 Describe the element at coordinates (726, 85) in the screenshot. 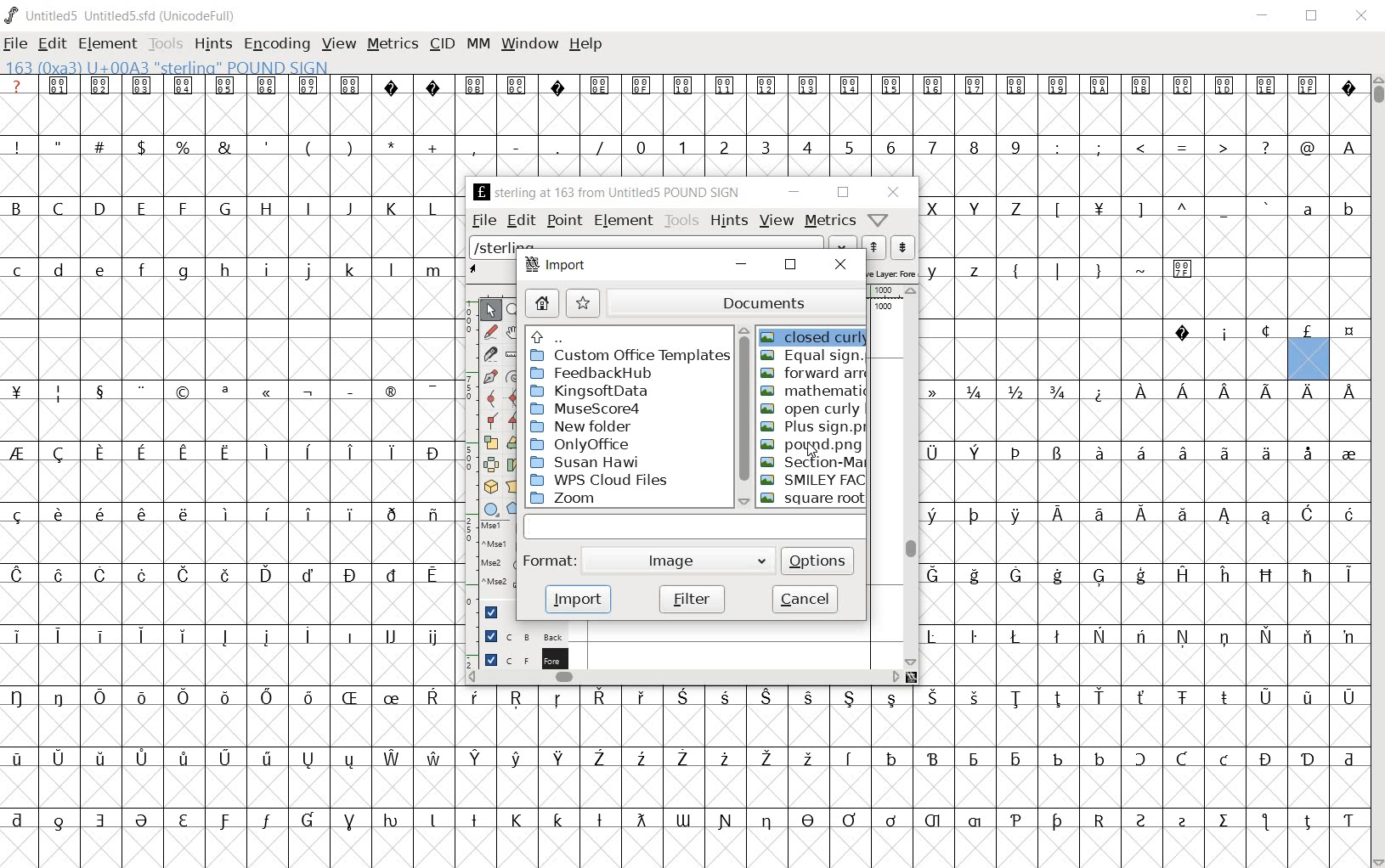

I see `Symbol` at that location.